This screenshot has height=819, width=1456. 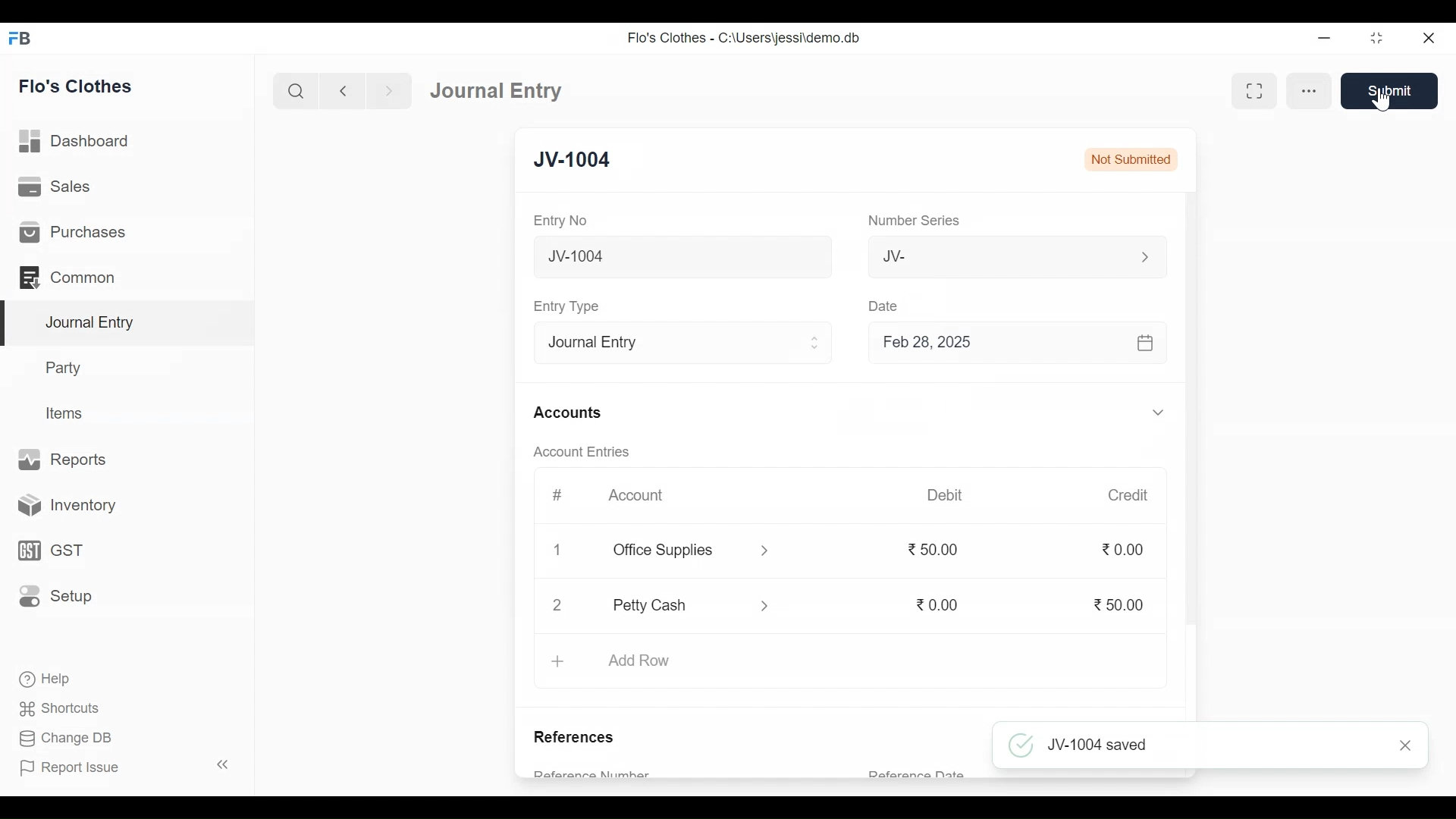 What do you see at coordinates (55, 595) in the screenshot?
I see `Setup` at bounding box center [55, 595].